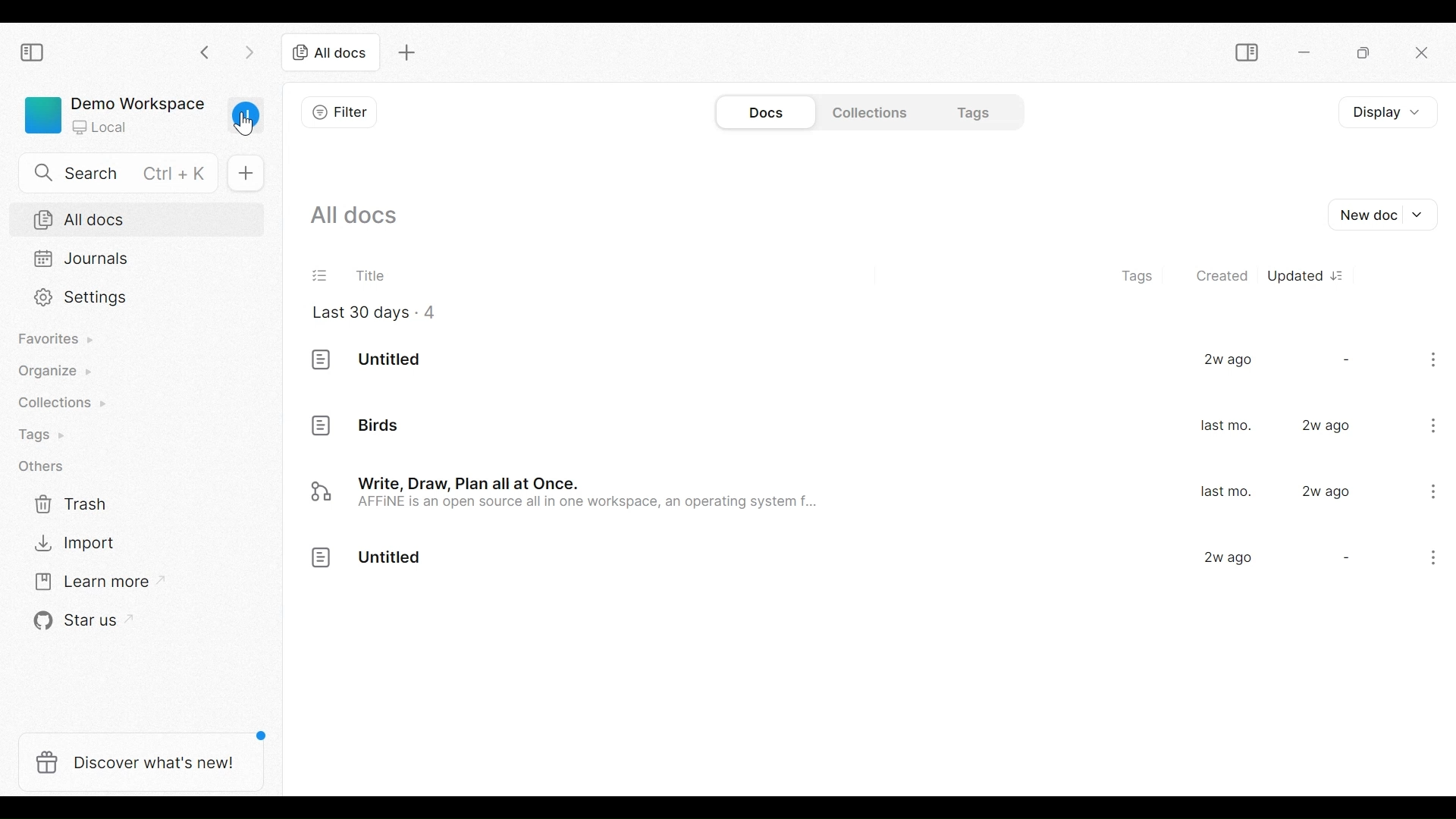  Describe the element at coordinates (139, 299) in the screenshot. I see `Settings` at that location.